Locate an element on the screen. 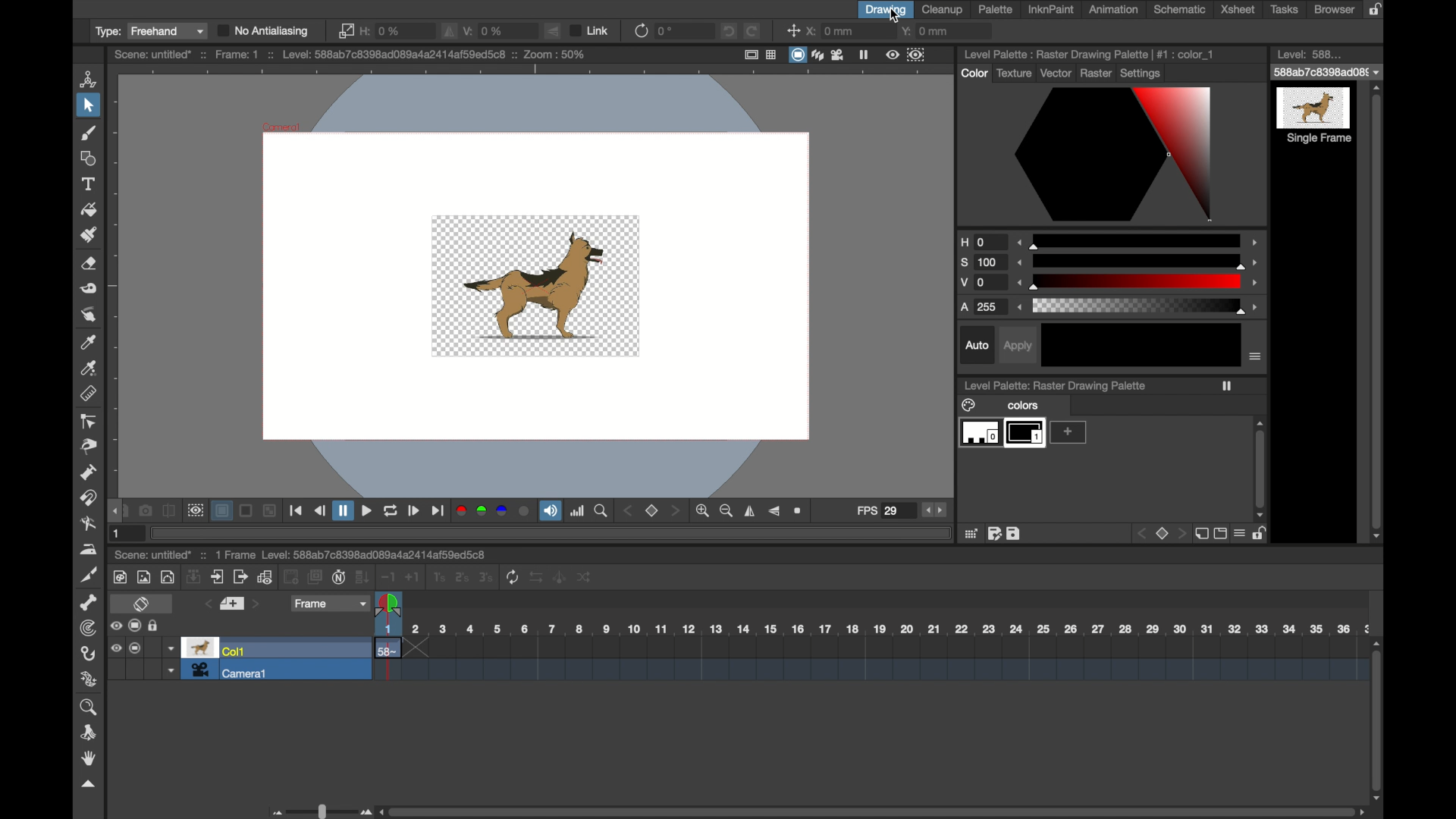 The height and width of the screenshot is (819, 1456). setting is located at coordinates (1148, 74).